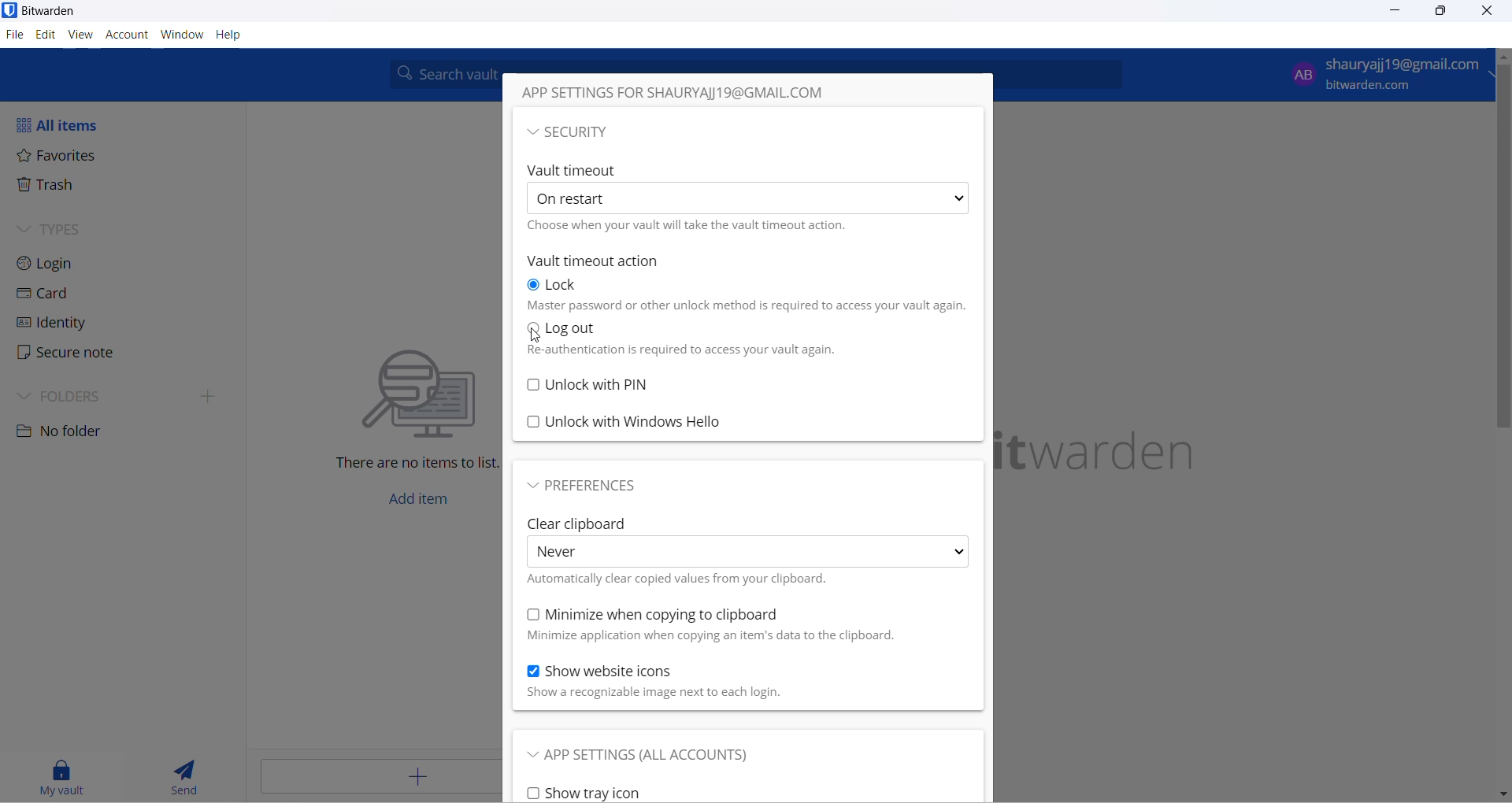  I want to click on logout, so click(583, 327).